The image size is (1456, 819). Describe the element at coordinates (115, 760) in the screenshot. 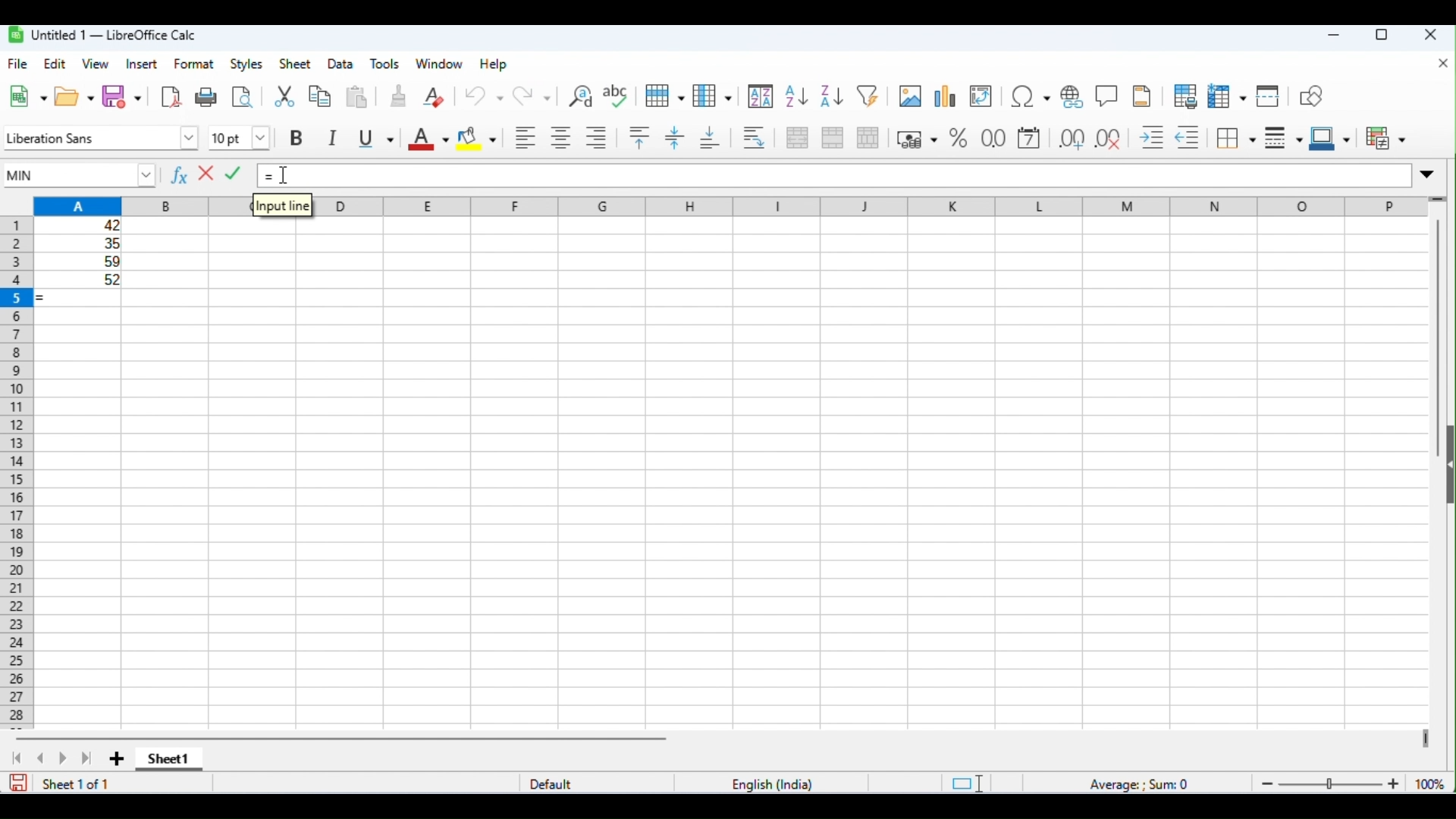

I see `add new sheet` at that location.